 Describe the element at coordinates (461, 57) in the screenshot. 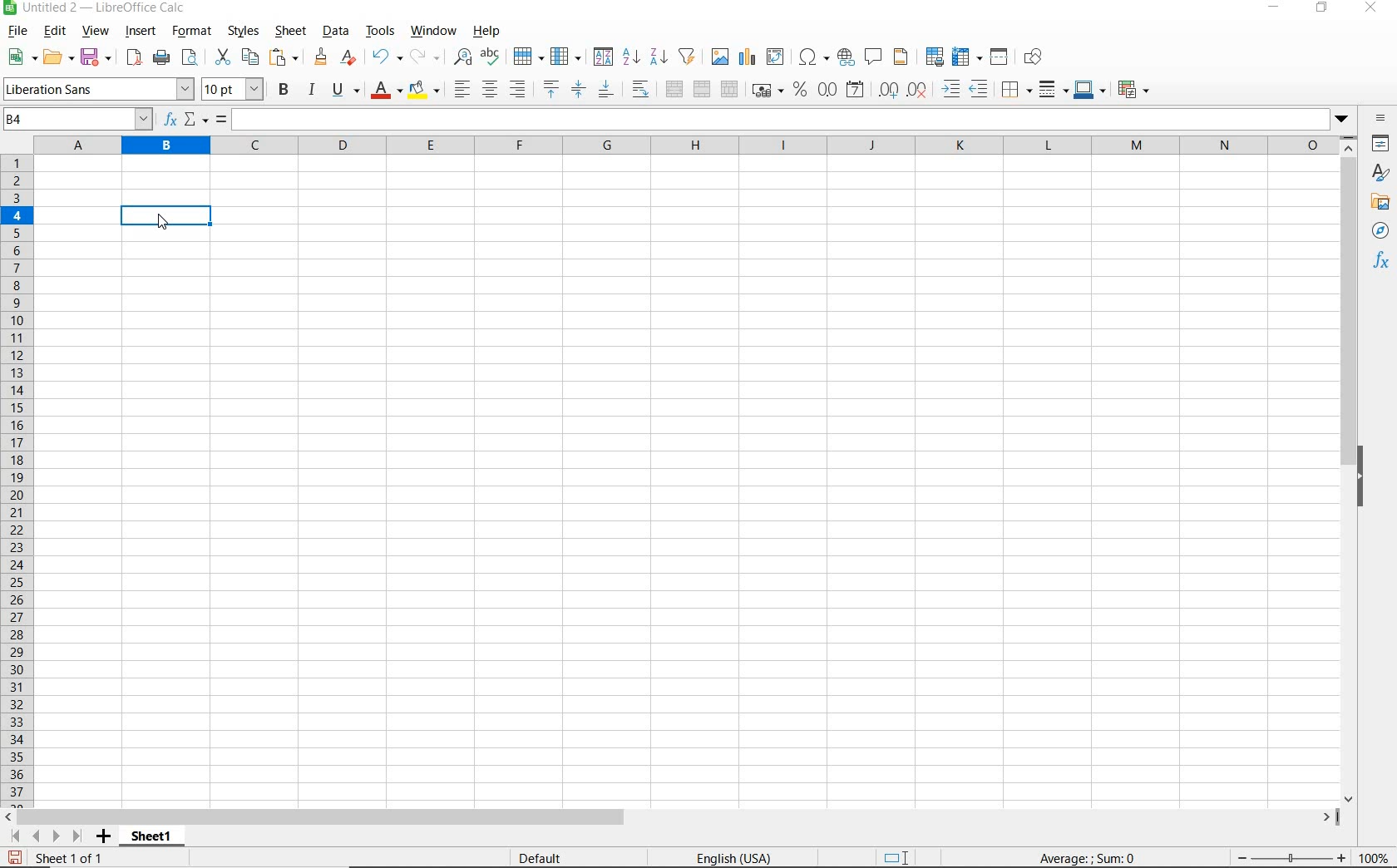

I see `find and replace` at that location.